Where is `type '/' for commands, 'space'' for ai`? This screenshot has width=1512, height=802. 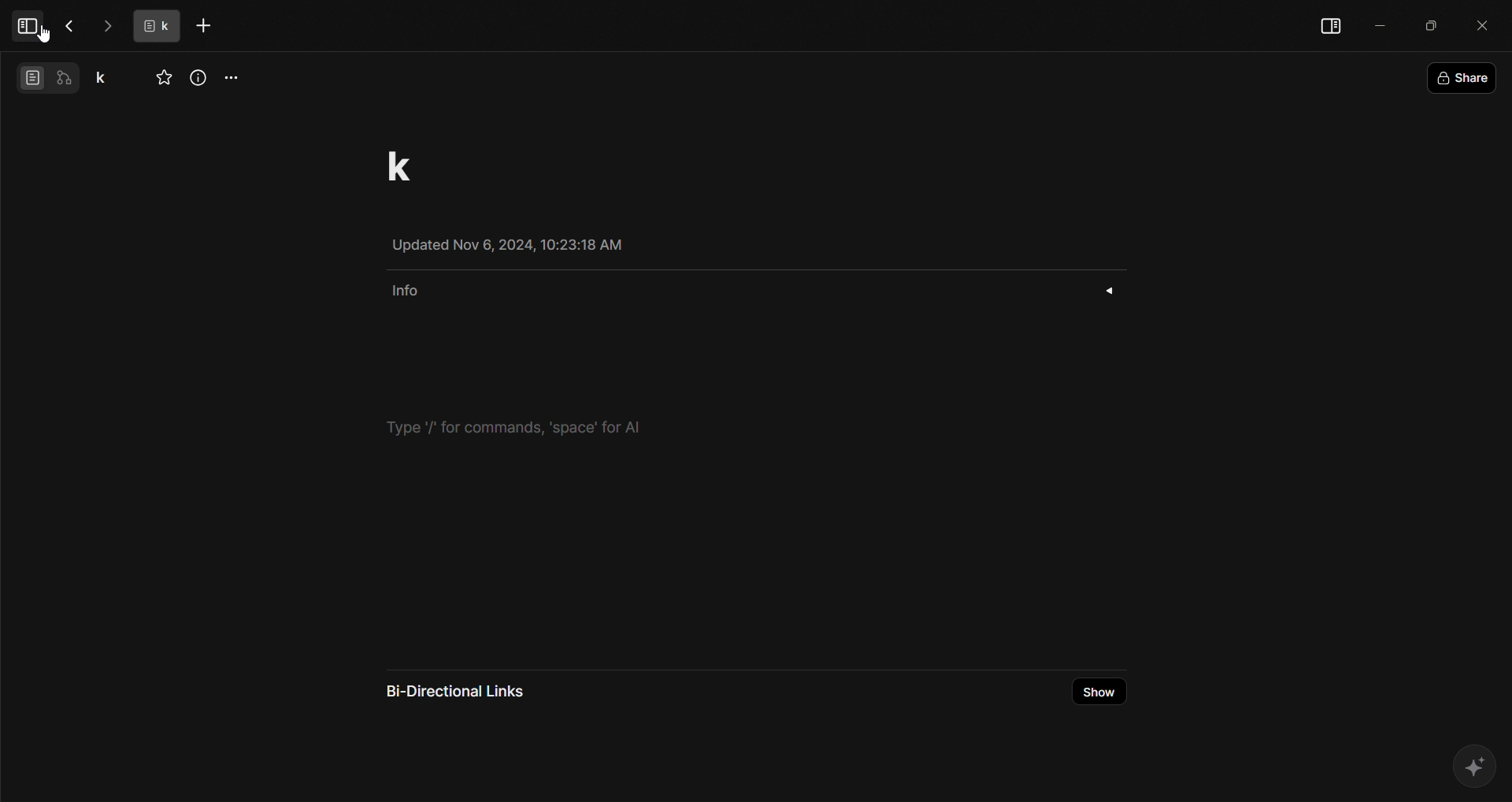
type '/' for commands, 'space'' for ai is located at coordinates (510, 425).